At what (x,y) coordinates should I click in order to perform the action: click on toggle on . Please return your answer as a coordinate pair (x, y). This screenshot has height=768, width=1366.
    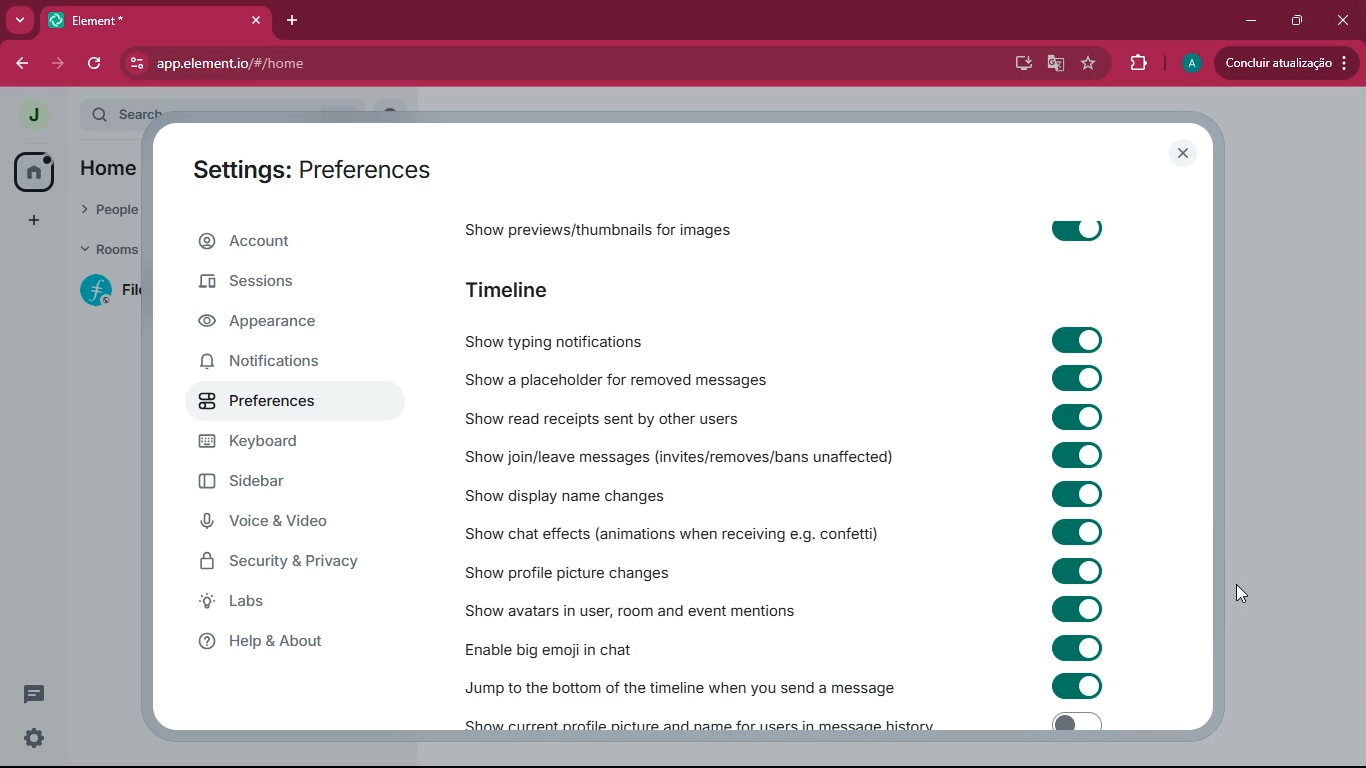
    Looking at the image, I should click on (1076, 492).